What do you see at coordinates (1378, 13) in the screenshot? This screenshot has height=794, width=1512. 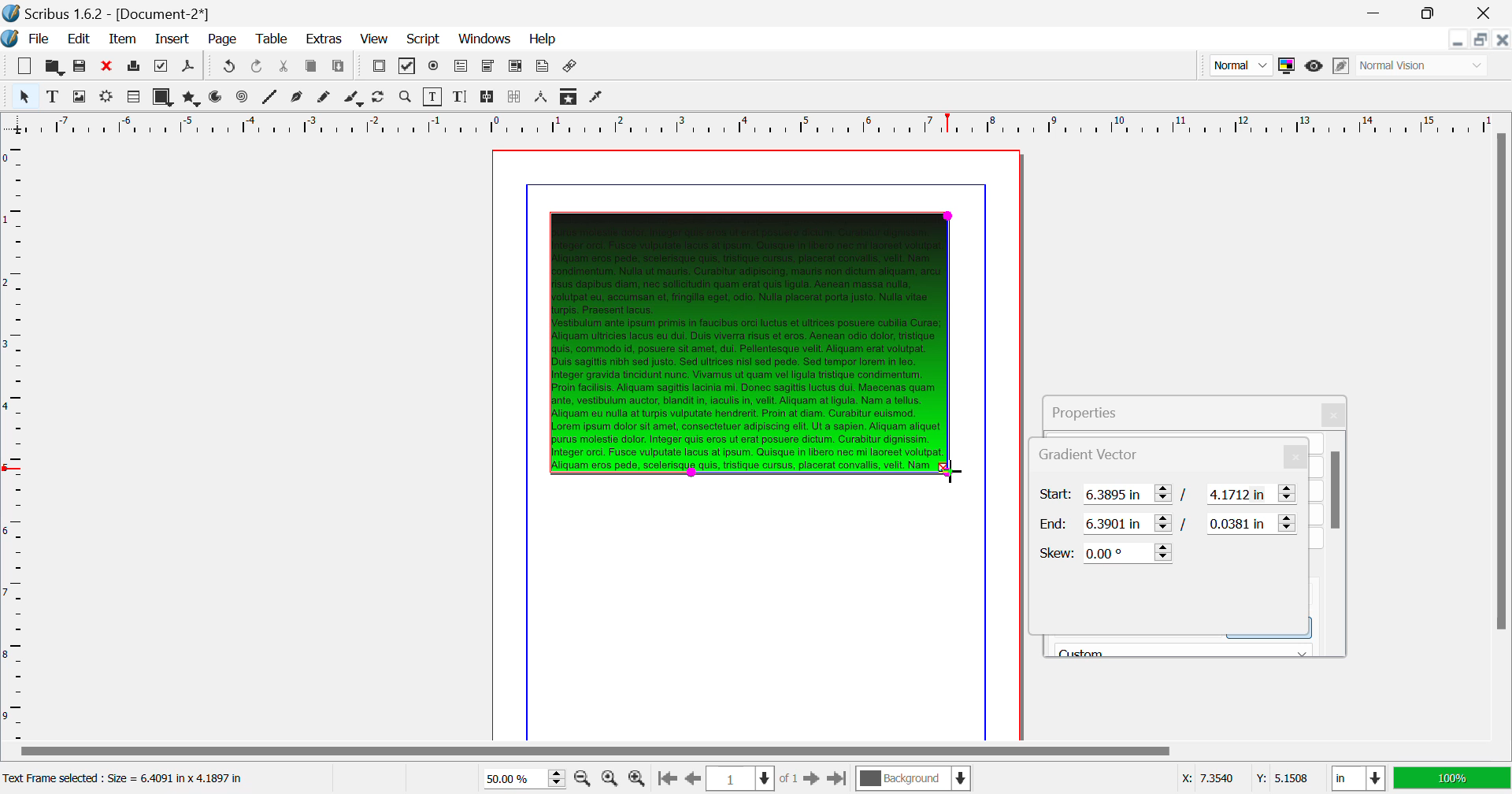 I see `Restore Down` at bounding box center [1378, 13].